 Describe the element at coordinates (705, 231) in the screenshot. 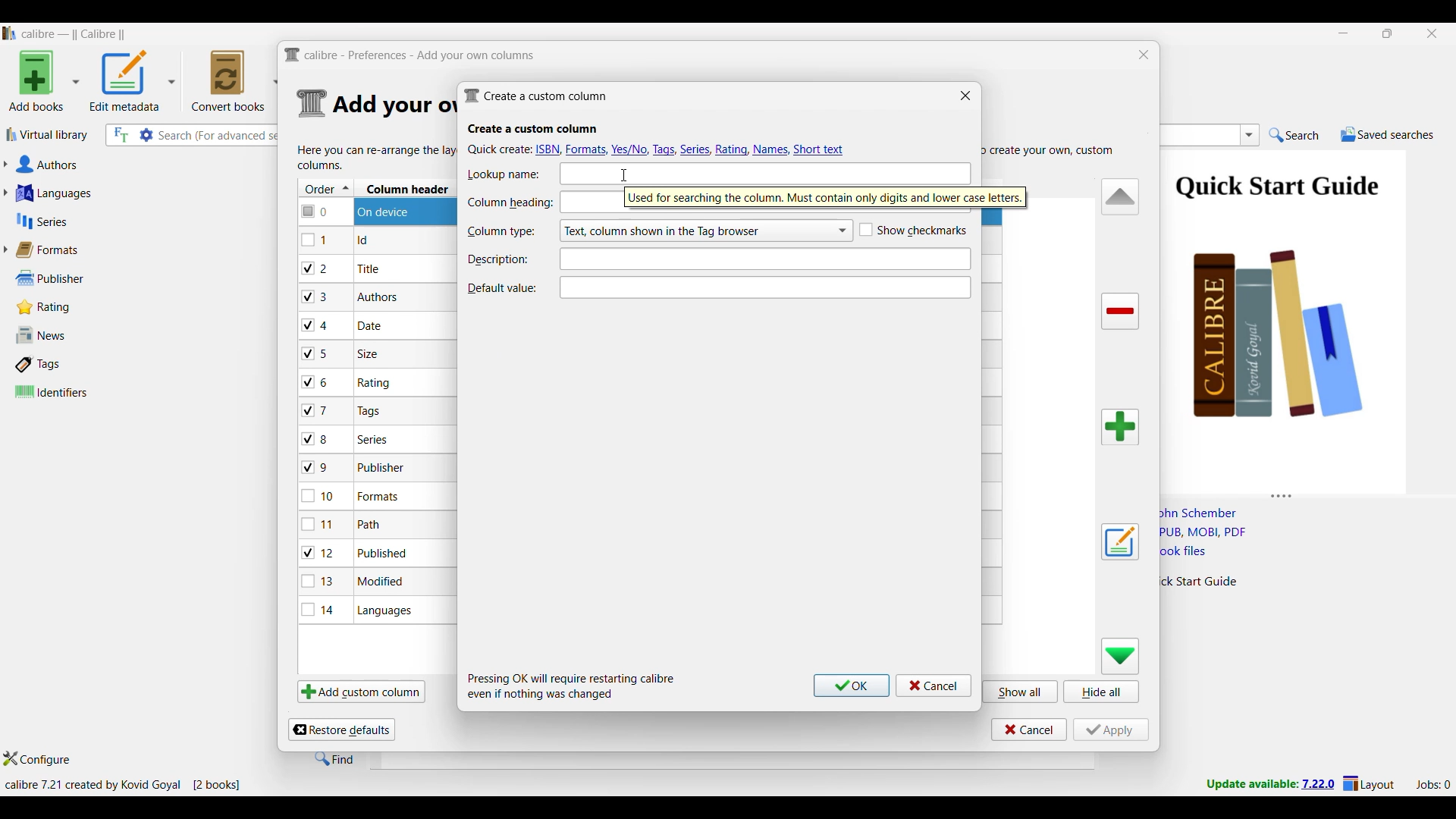

I see `Column type options` at that location.